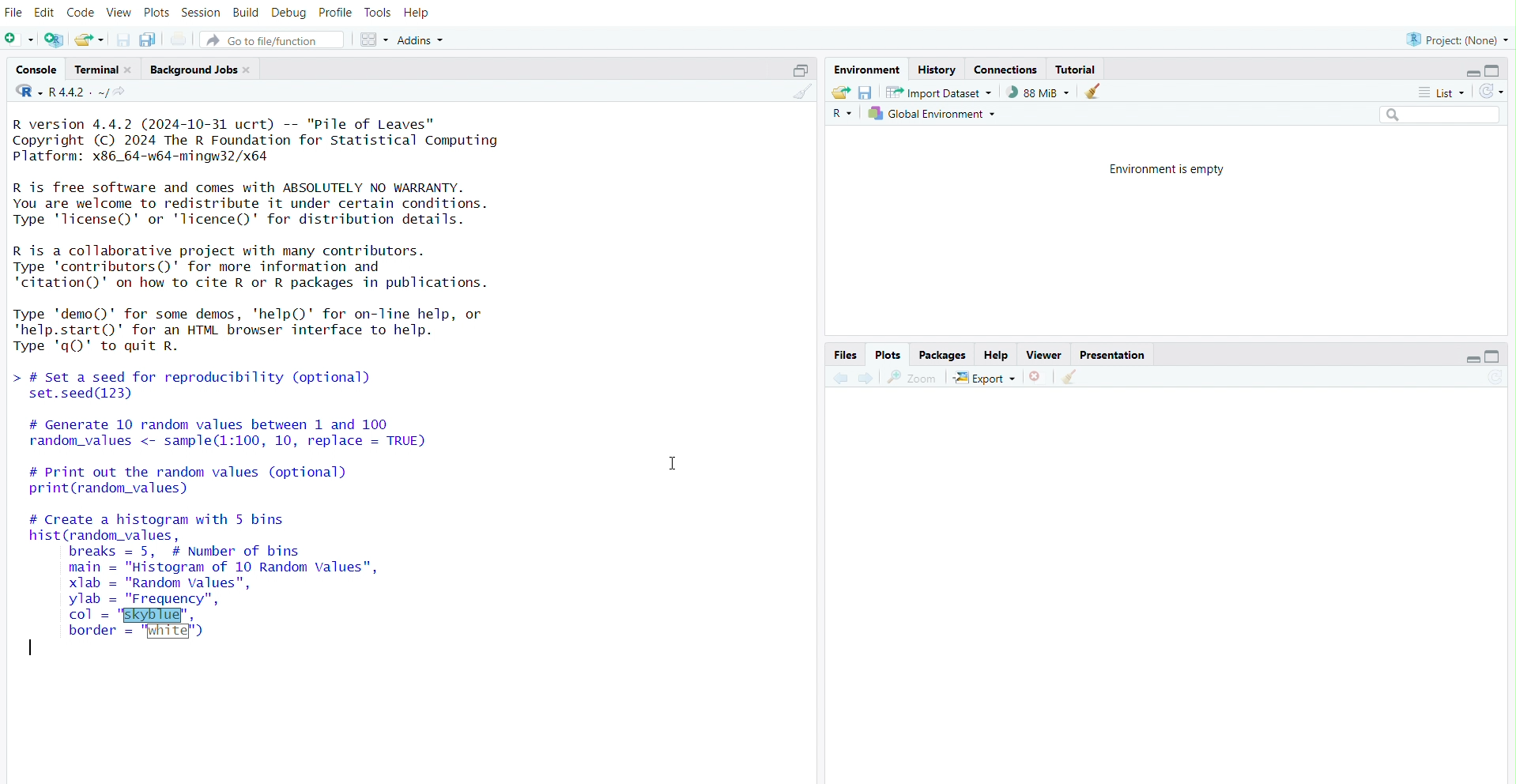 This screenshot has height=784, width=1516. Describe the element at coordinates (181, 38) in the screenshot. I see `print the current file` at that location.